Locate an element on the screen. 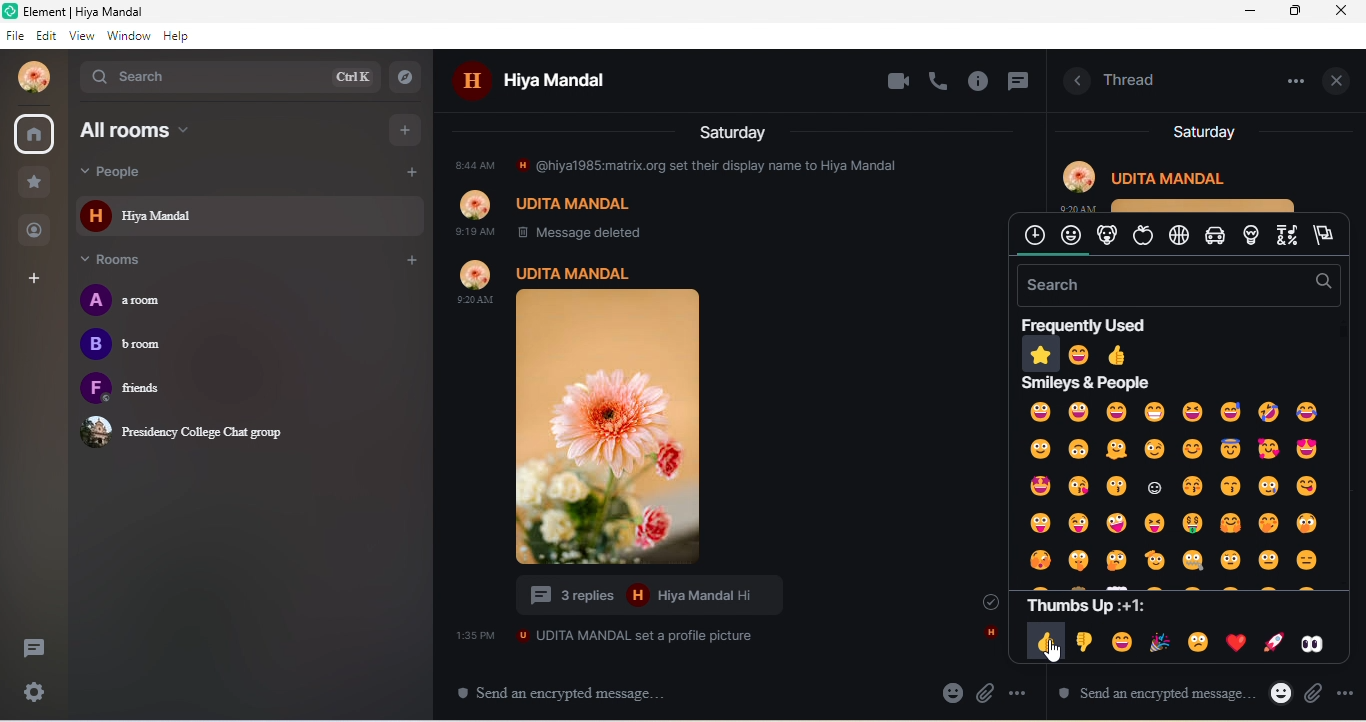 Image resolution: width=1366 pixels, height=722 pixels. a room is located at coordinates (140, 300).